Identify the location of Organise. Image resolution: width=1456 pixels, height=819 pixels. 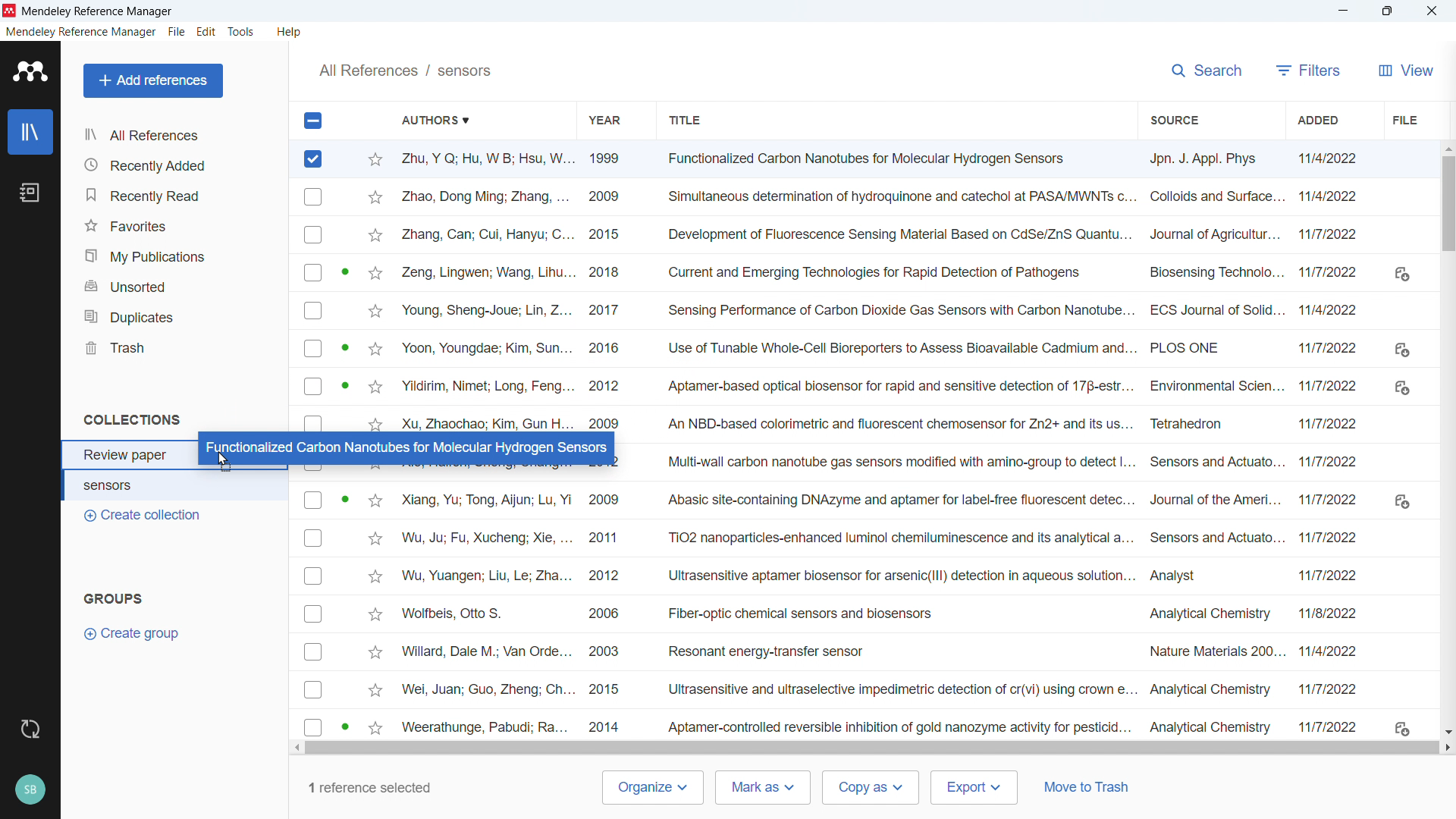
(652, 788).